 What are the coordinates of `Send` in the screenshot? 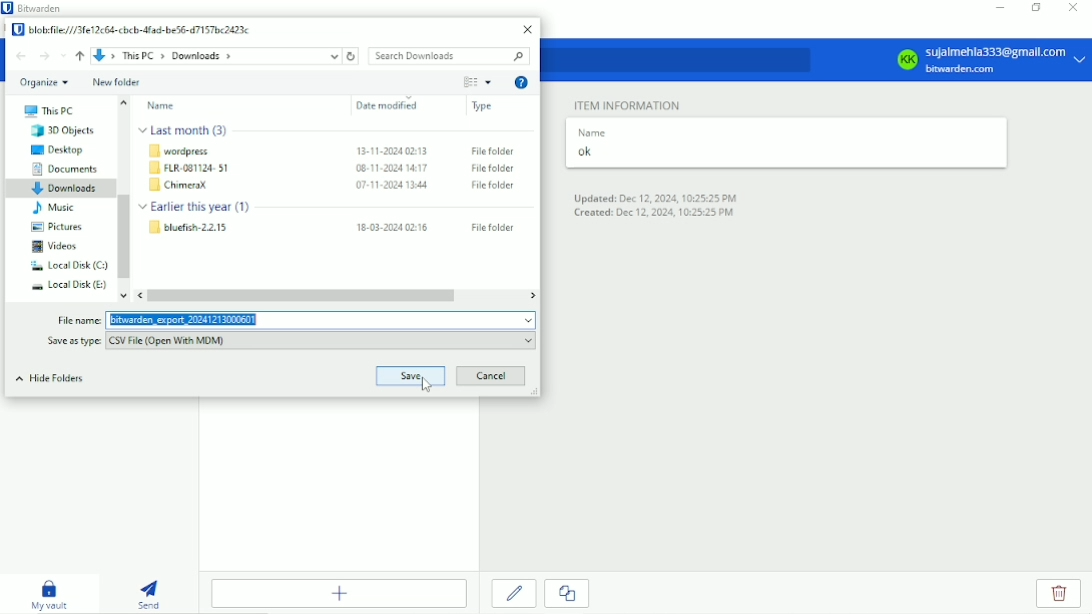 It's located at (150, 592).